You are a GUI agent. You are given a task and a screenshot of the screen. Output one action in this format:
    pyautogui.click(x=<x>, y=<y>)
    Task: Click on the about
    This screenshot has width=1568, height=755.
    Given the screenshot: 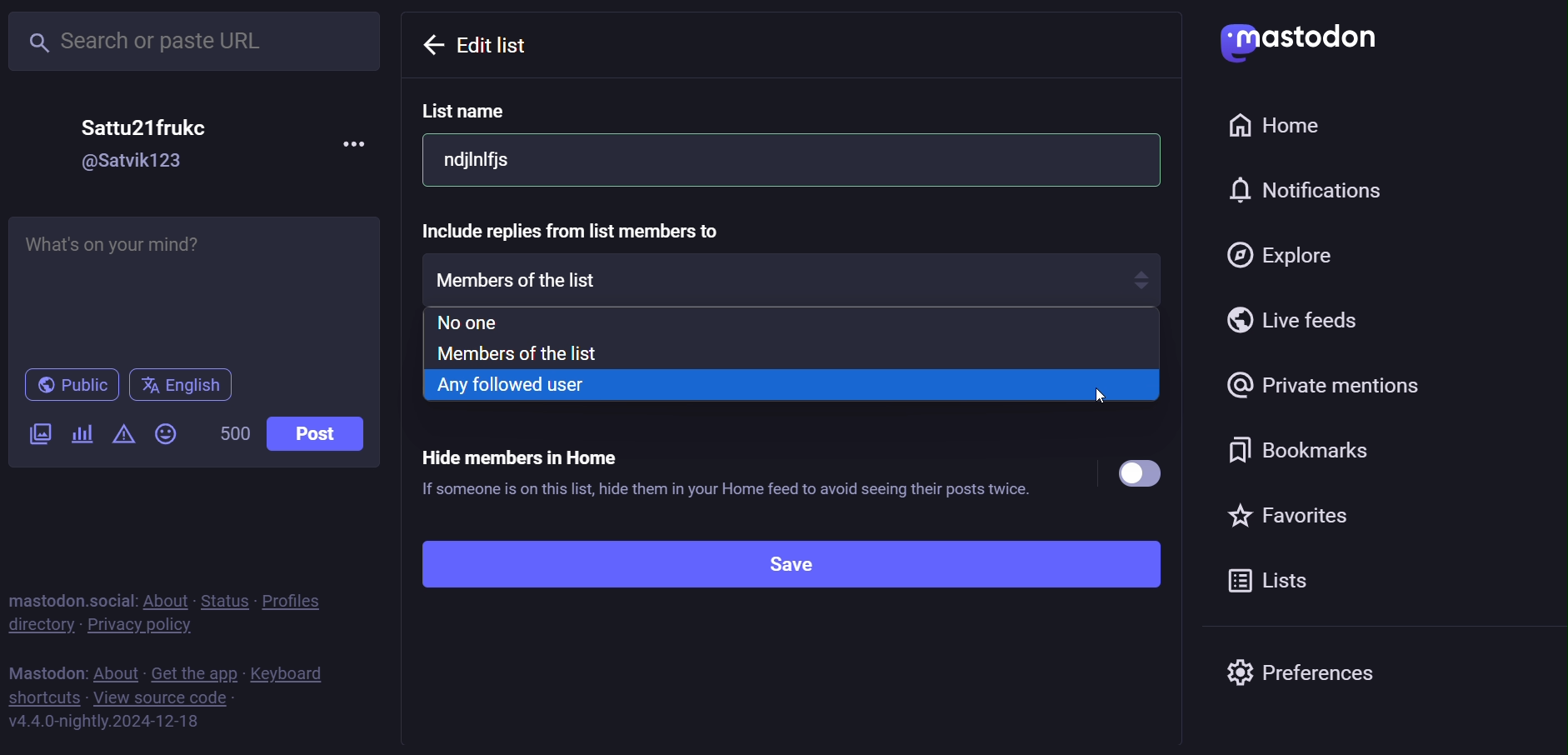 What is the action you would take?
    pyautogui.click(x=115, y=671)
    